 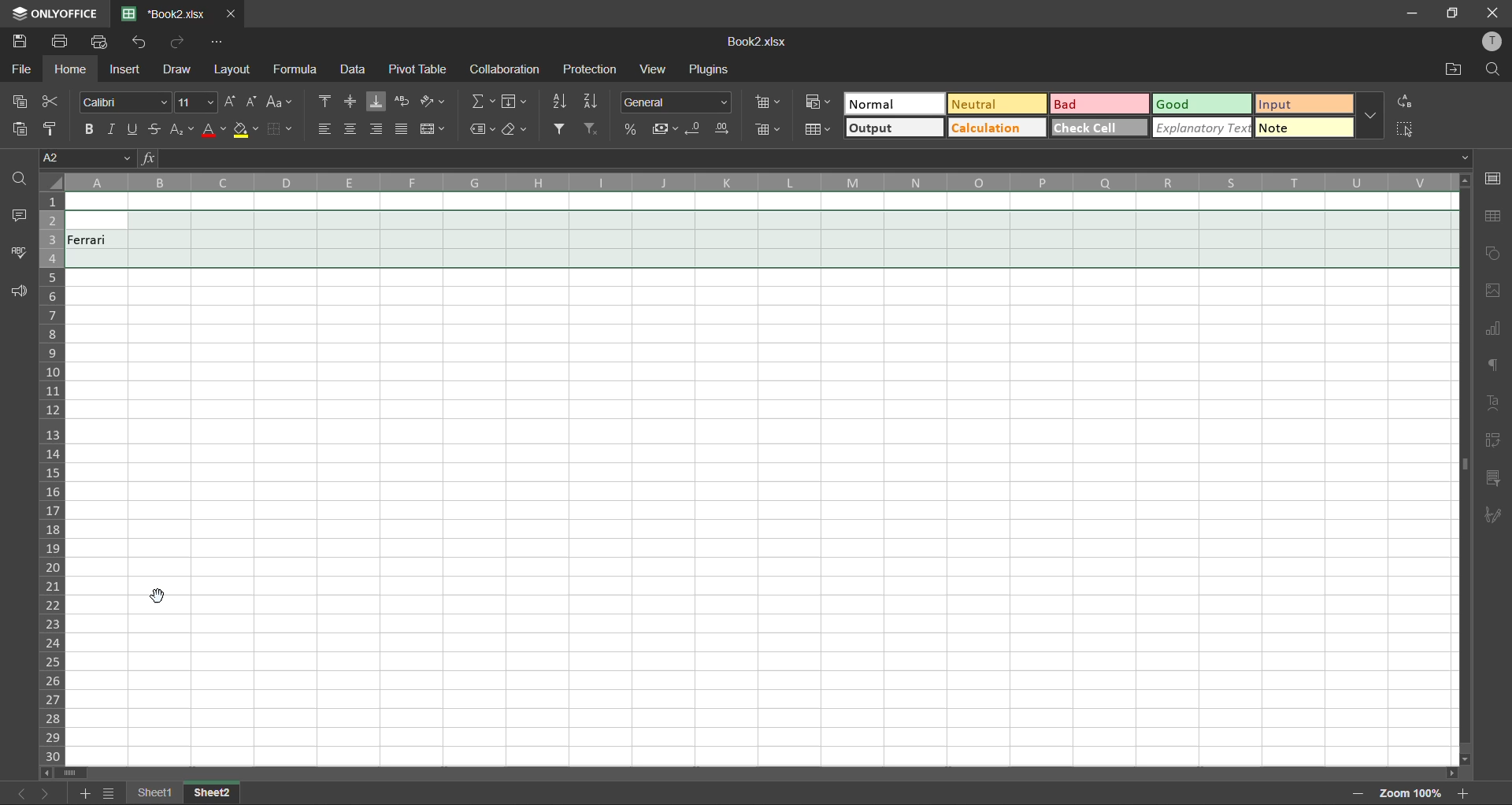 I want to click on protection, so click(x=594, y=69).